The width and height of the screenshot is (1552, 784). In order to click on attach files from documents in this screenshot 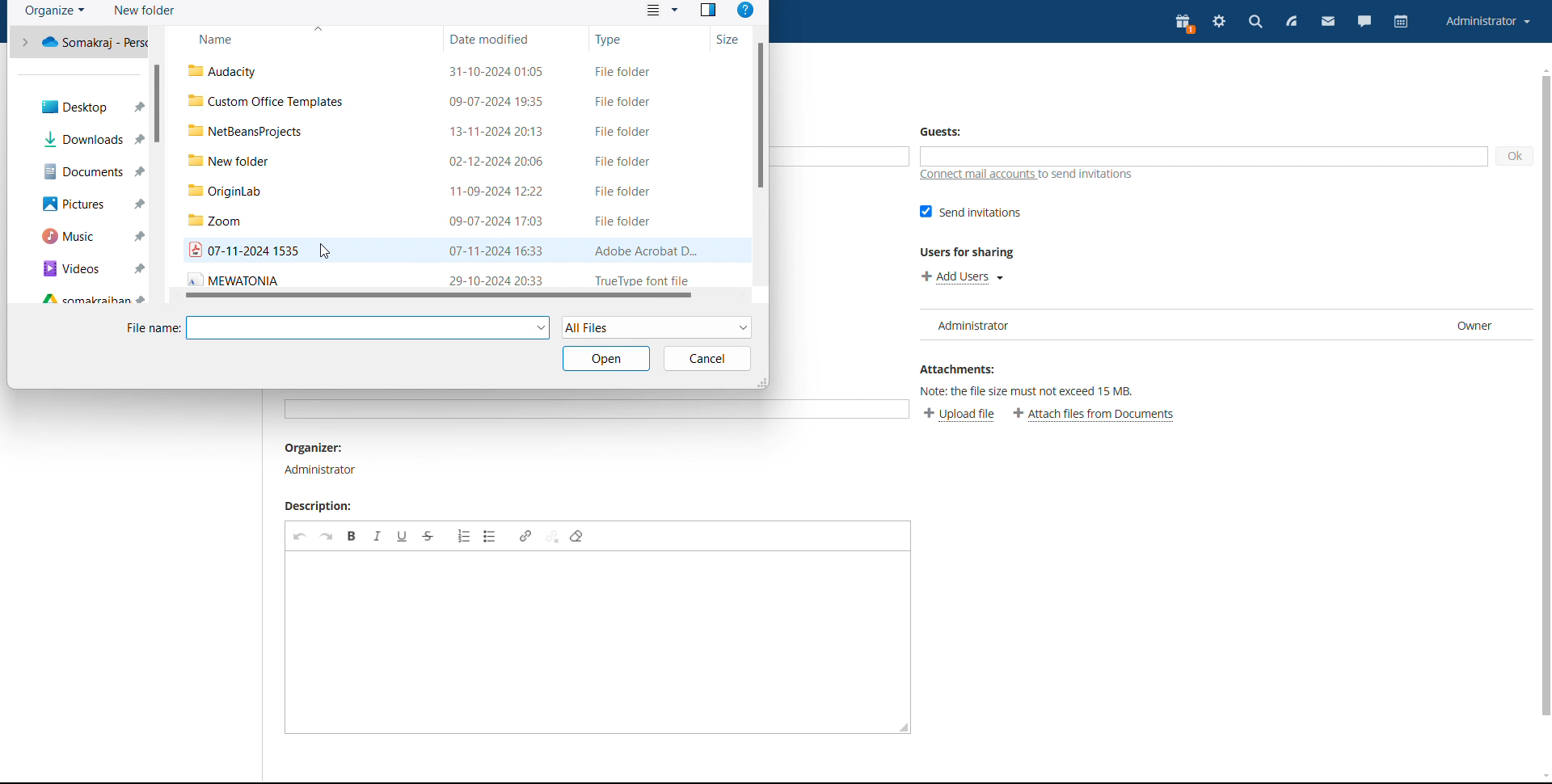, I will do `click(1094, 415)`.